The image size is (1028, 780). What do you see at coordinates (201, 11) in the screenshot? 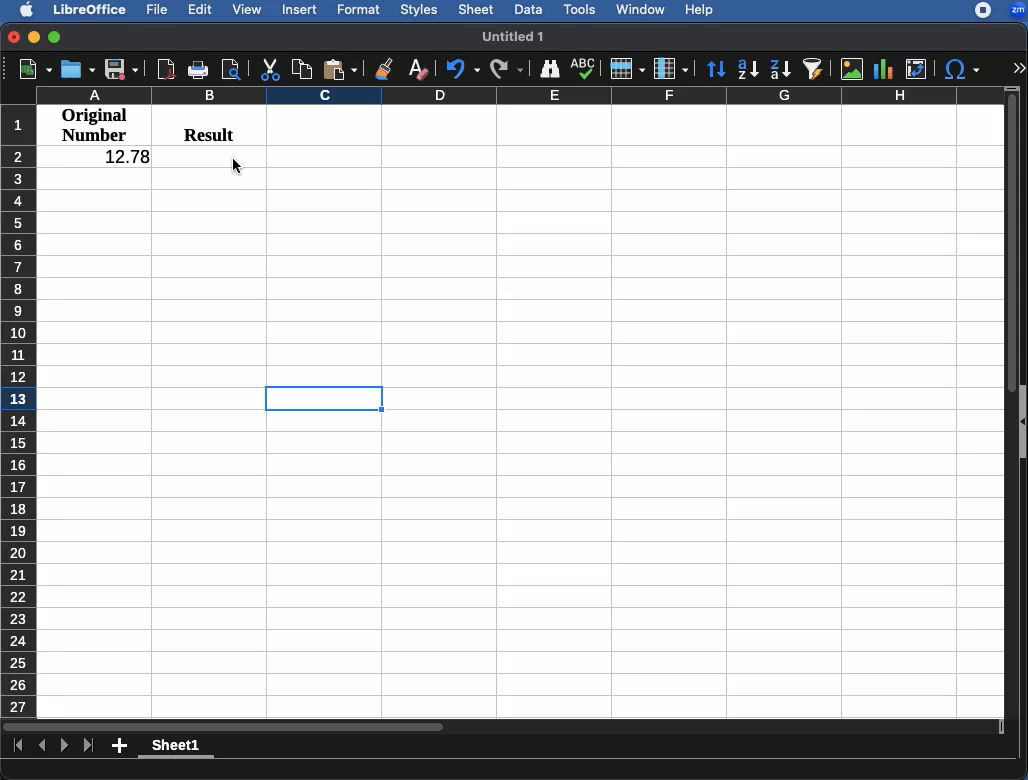
I see `Edit` at bounding box center [201, 11].